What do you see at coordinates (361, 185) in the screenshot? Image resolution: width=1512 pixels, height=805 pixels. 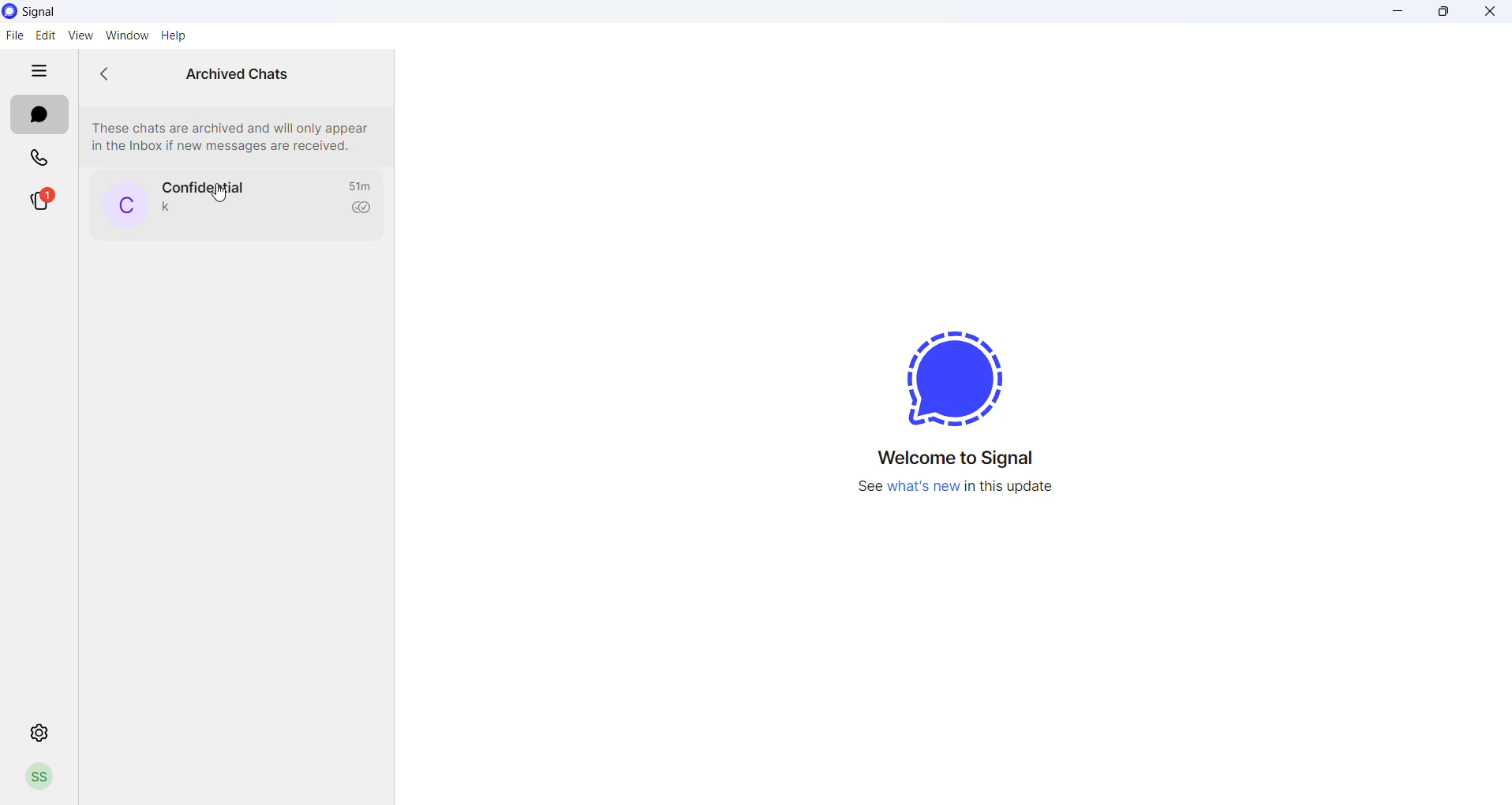 I see `last message timeframe ` at bounding box center [361, 185].